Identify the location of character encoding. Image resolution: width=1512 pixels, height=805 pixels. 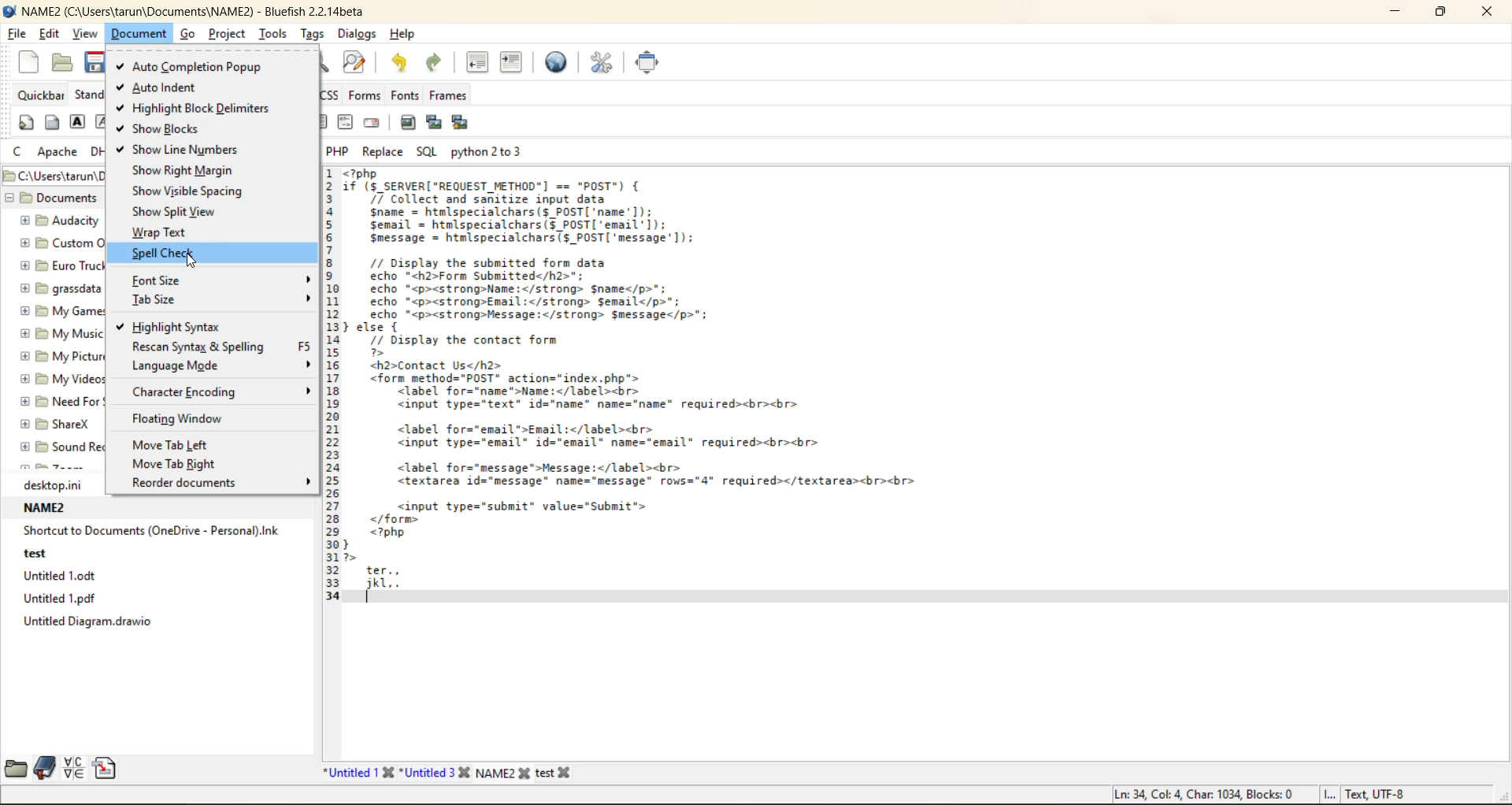
(220, 394).